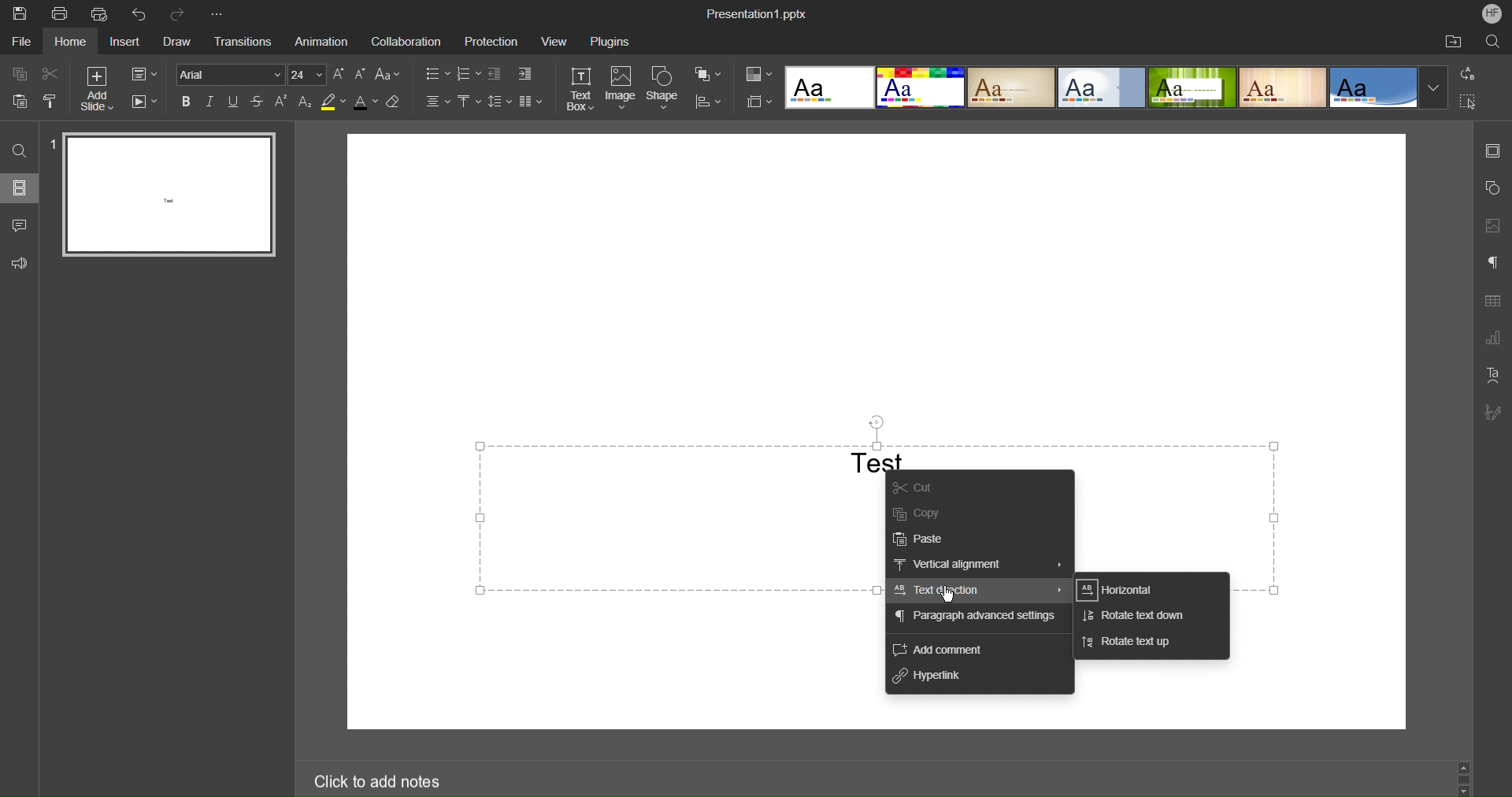  What do you see at coordinates (305, 102) in the screenshot?
I see `Subscript` at bounding box center [305, 102].